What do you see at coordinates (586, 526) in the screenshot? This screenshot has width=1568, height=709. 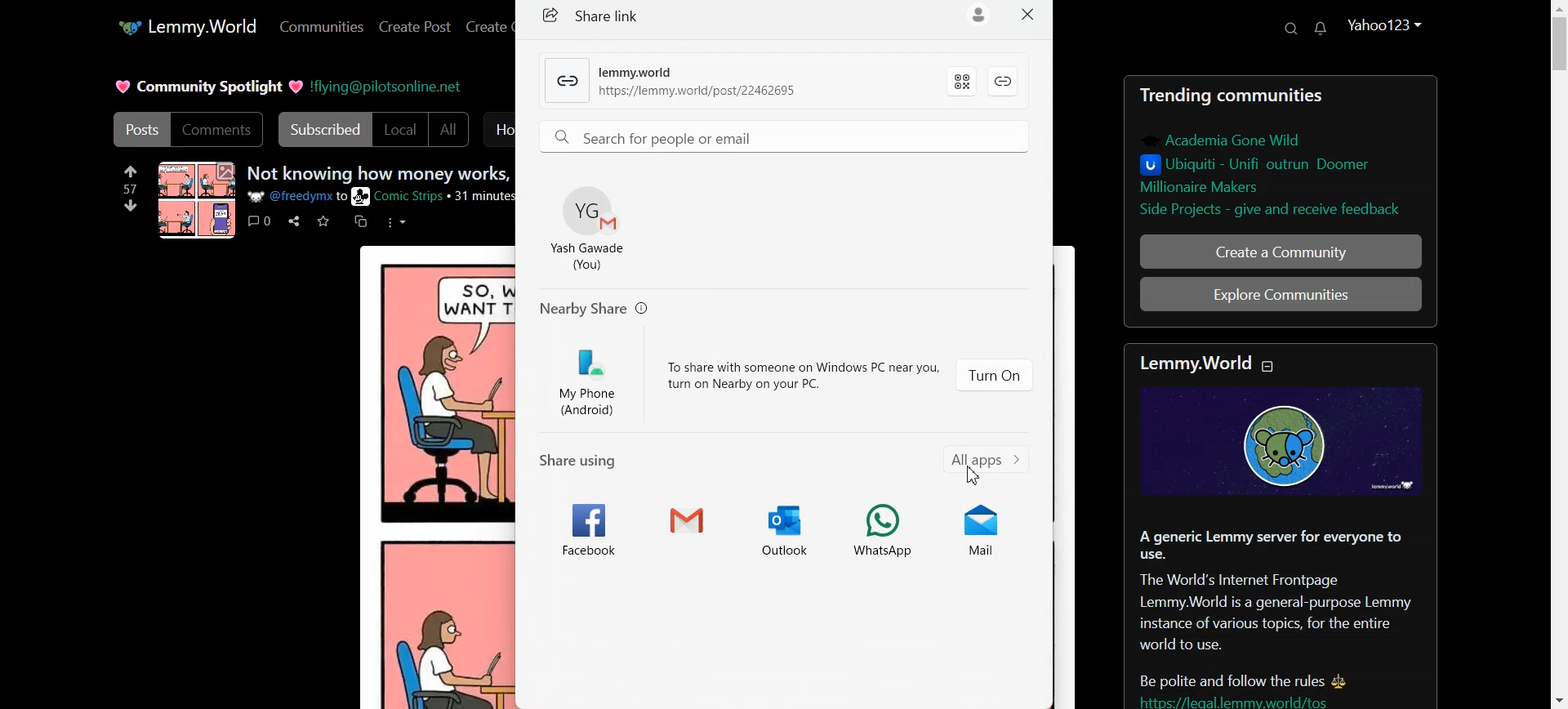 I see `Facebook` at bounding box center [586, 526].